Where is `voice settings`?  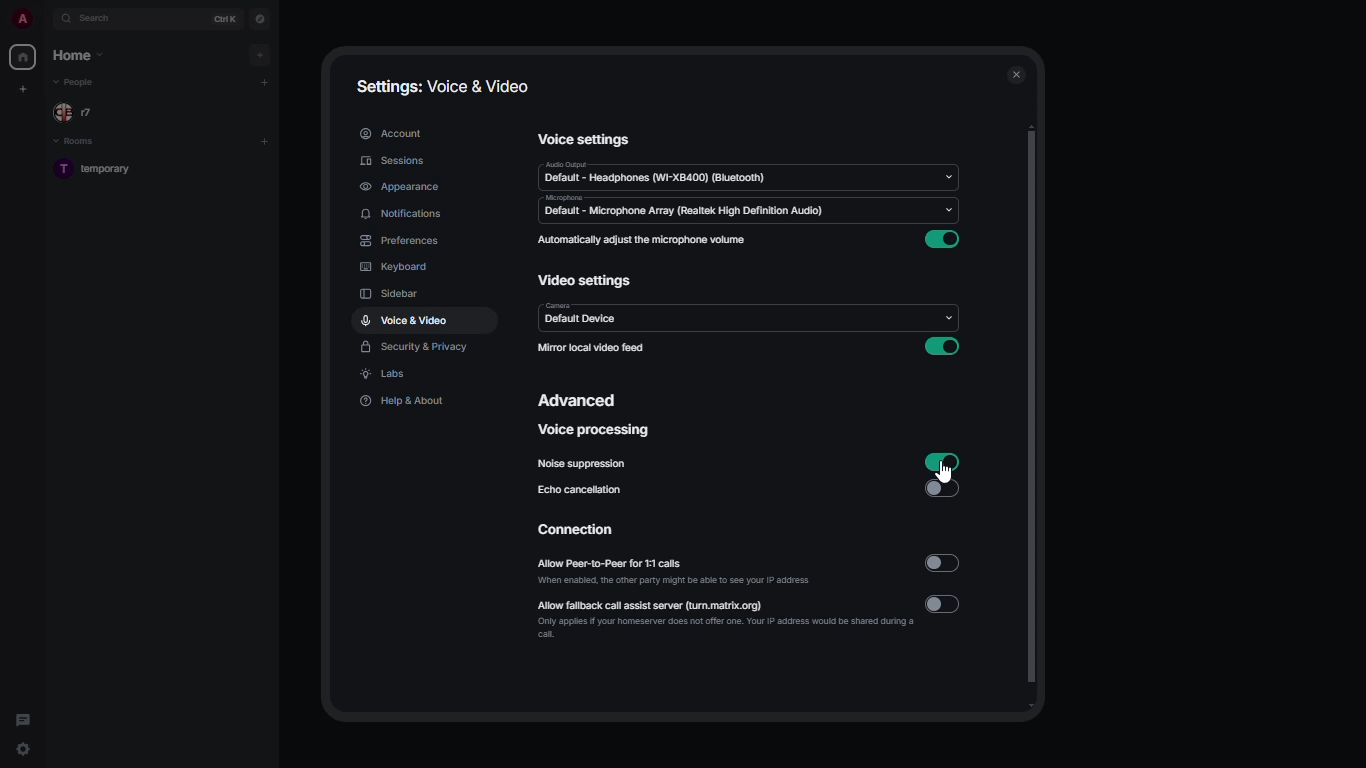
voice settings is located at coordinates (586, 140).